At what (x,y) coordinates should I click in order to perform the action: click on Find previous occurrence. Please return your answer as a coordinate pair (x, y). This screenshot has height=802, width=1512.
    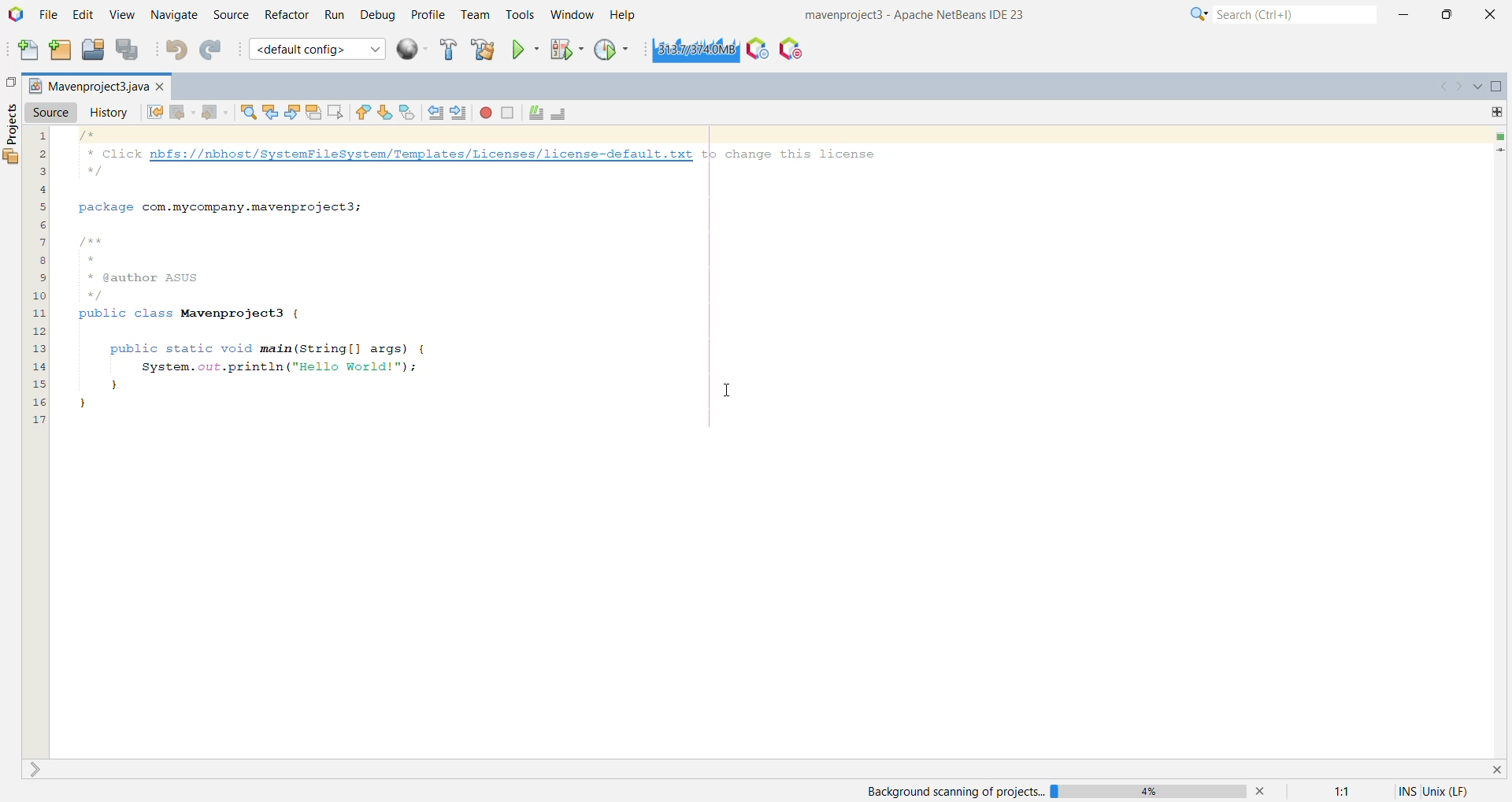
    Looking at the image, I should click on (269, 113).